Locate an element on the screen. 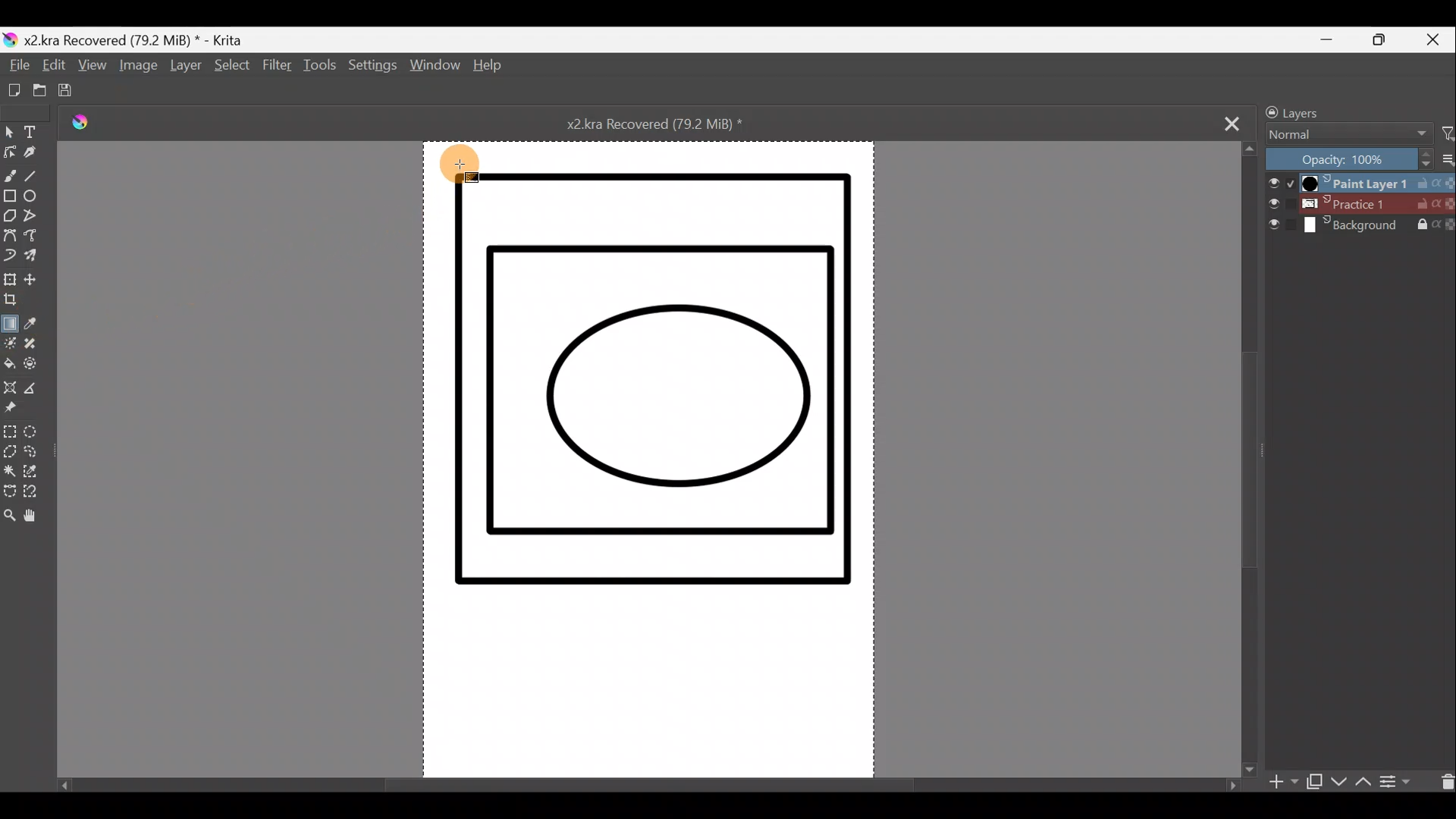  Image is located at coordinates (136, 68).